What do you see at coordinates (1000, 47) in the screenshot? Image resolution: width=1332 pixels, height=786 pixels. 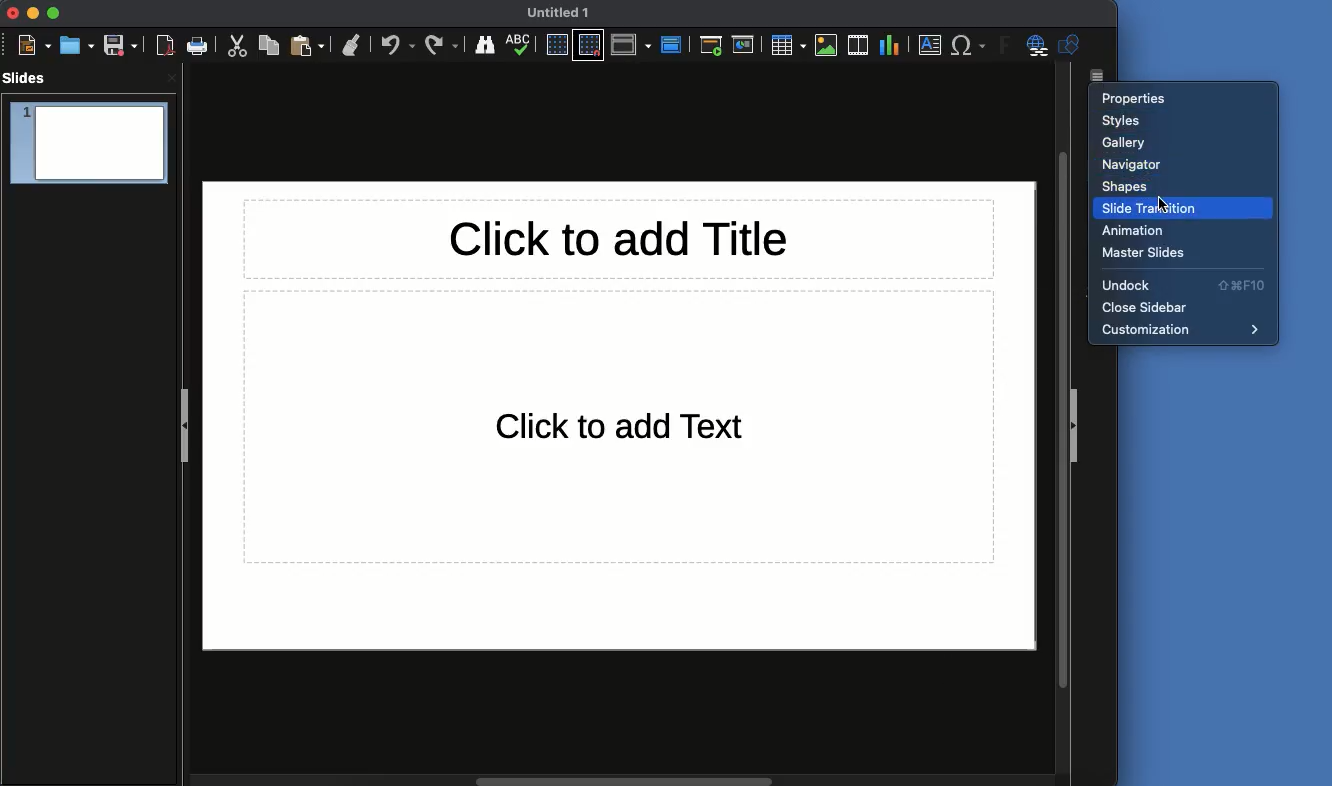 I see `Fontwork text` at bounding box center [1000, 47].